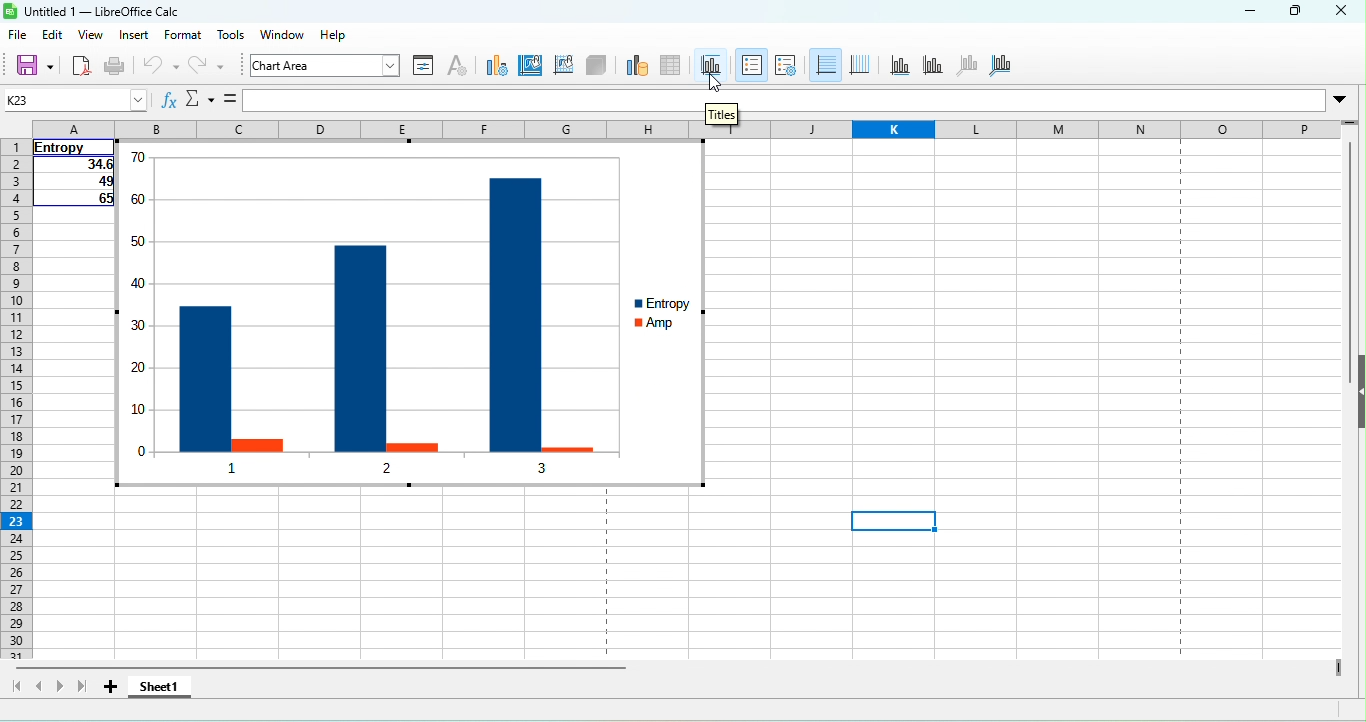  What do you see at coordinates (723, 113) in the screenshot?
I see `titles` at bounding box center [723, 113].